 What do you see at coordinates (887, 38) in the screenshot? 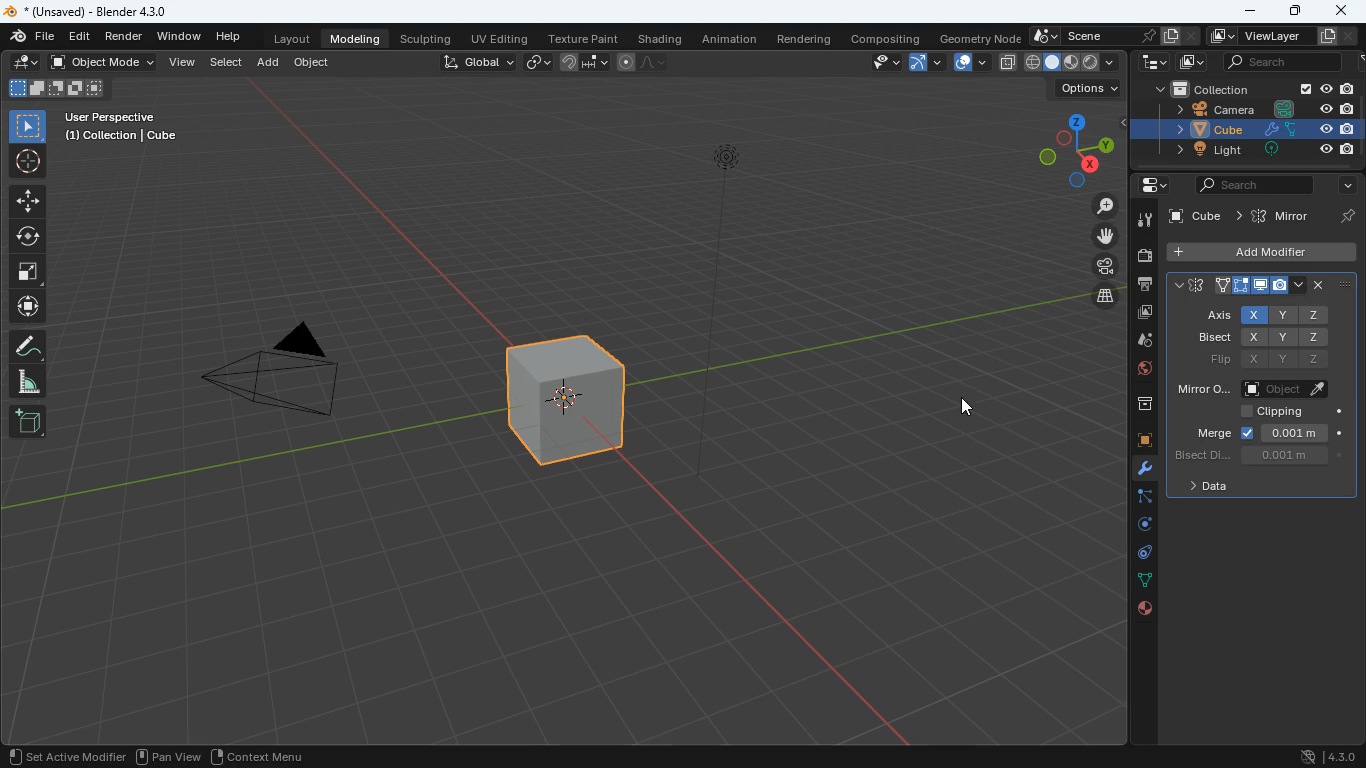
I see `compositing` at bounding box center [887, 38].